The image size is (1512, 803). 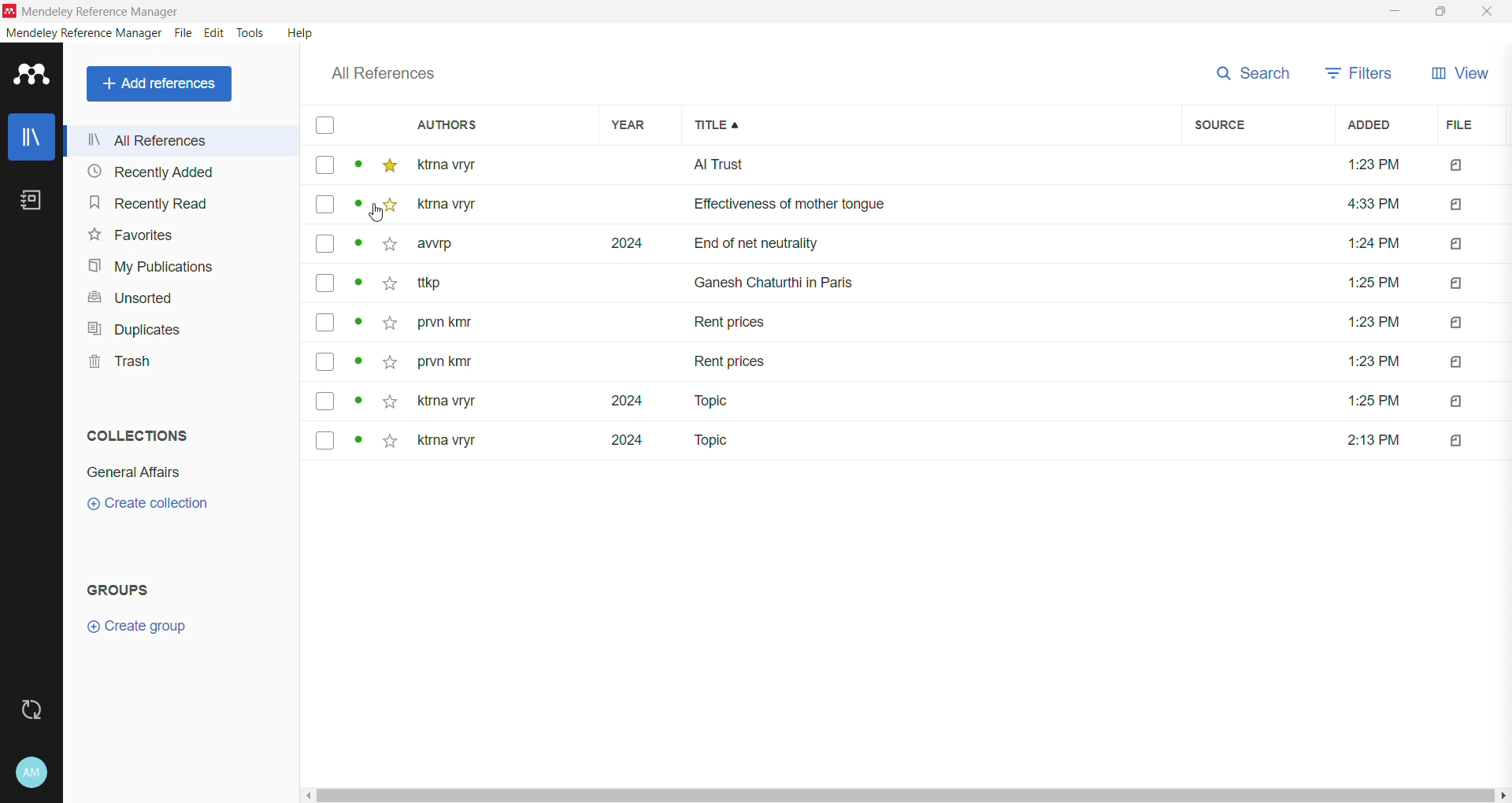 I want to click on Recently Added, so click(x=176, y=171).